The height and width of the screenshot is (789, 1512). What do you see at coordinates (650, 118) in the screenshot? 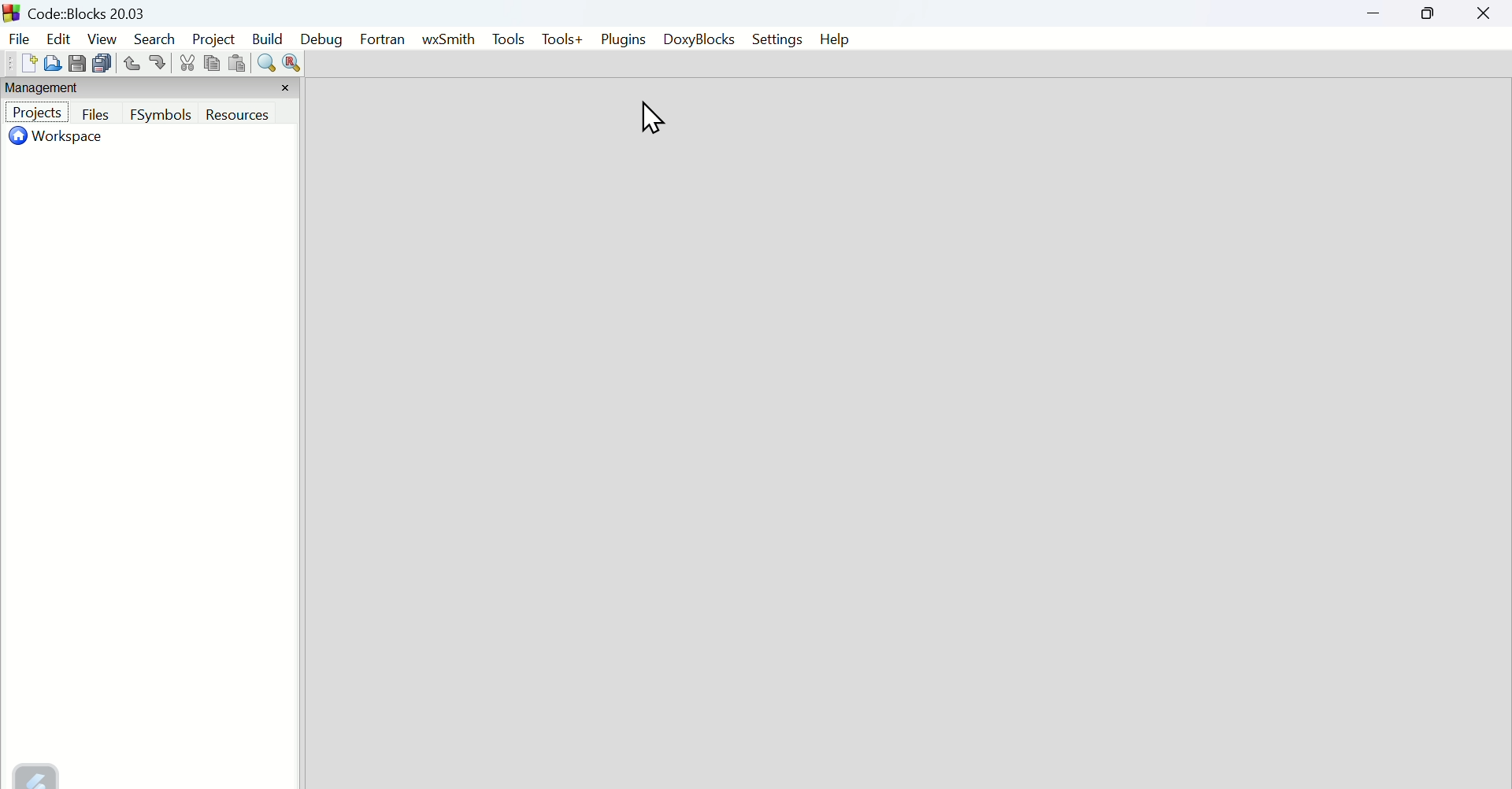
I see `Cursor` at bounding box center [650, 118].